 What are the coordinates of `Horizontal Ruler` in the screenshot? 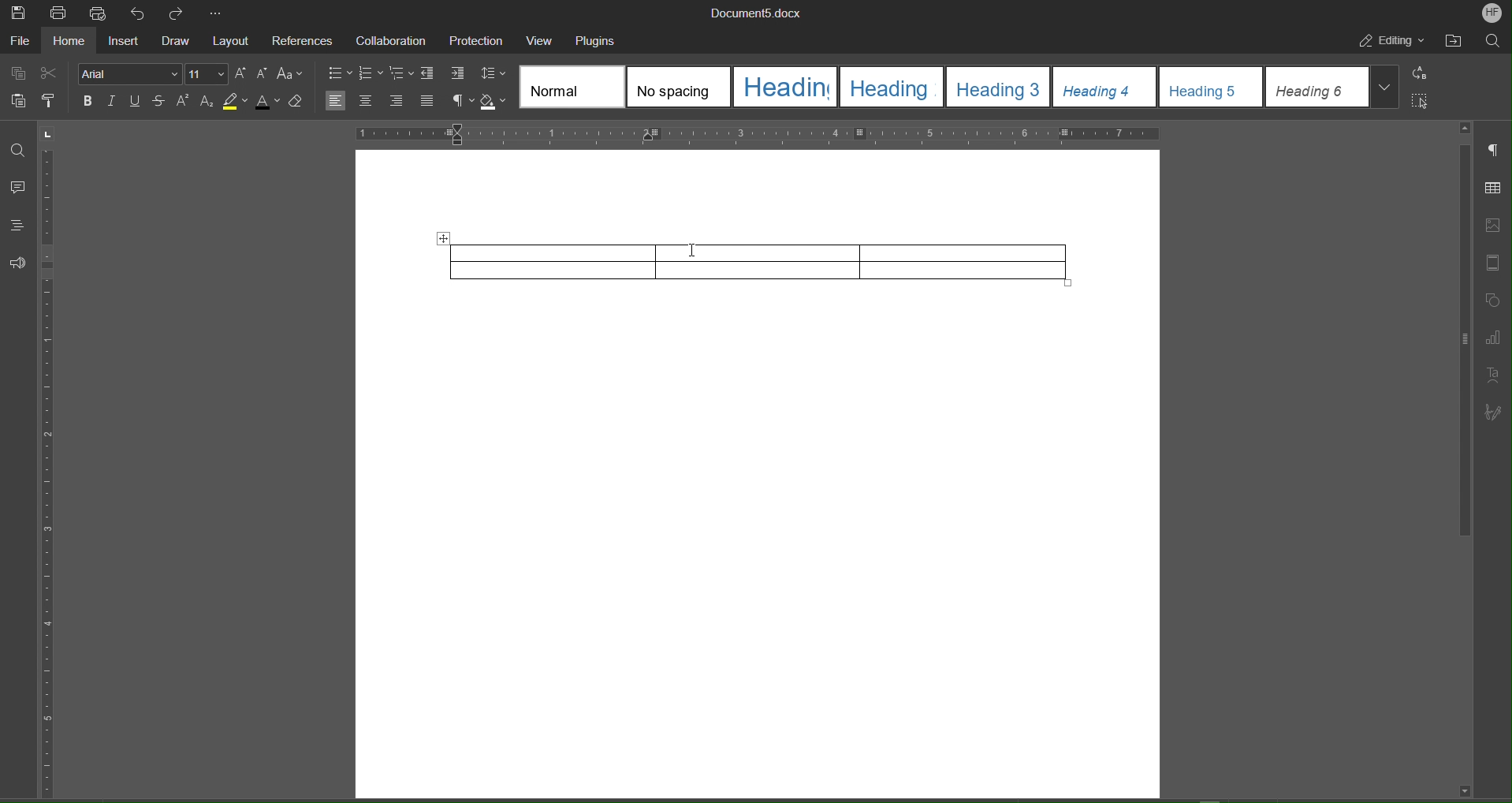 It's located at (757, 133).